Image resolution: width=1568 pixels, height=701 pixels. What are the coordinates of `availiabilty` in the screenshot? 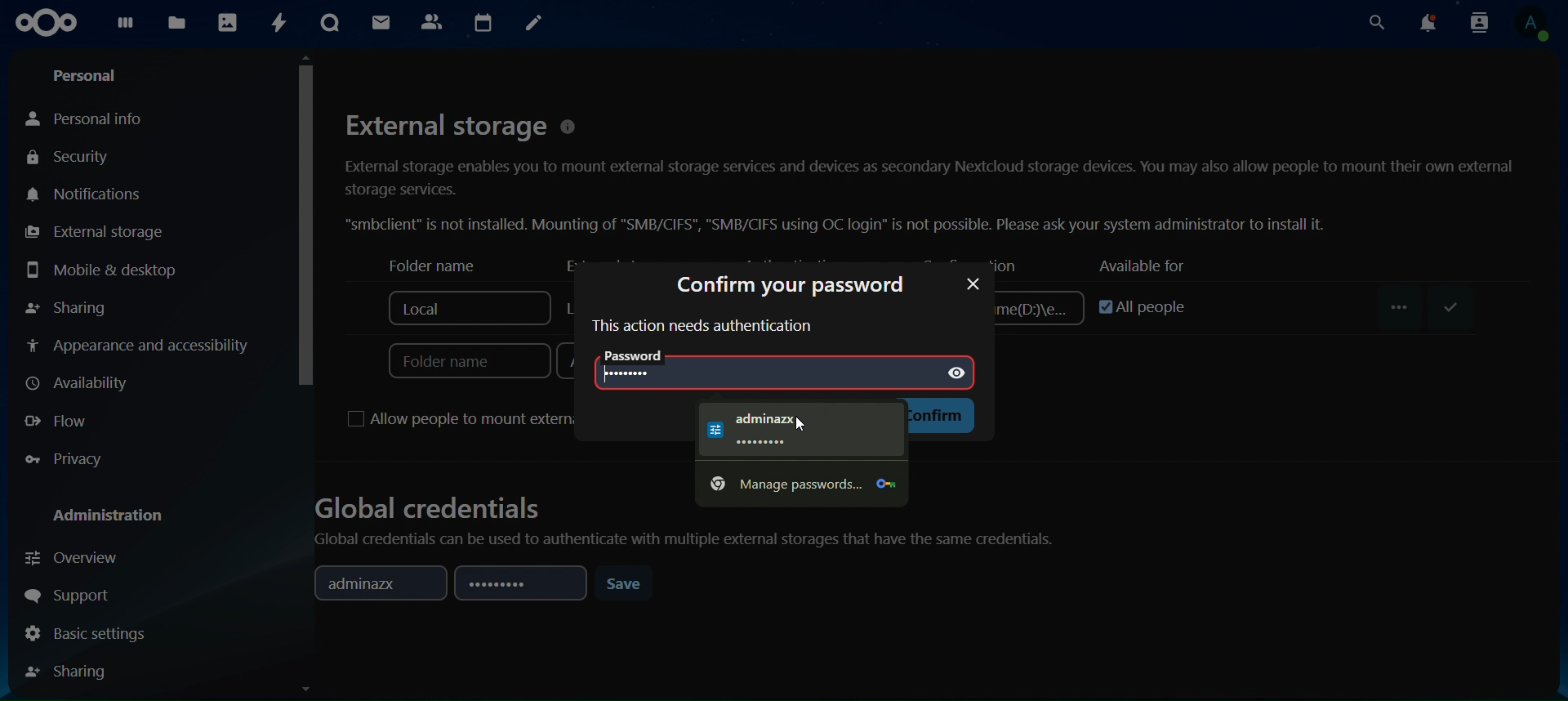 It's located at (82, 383).